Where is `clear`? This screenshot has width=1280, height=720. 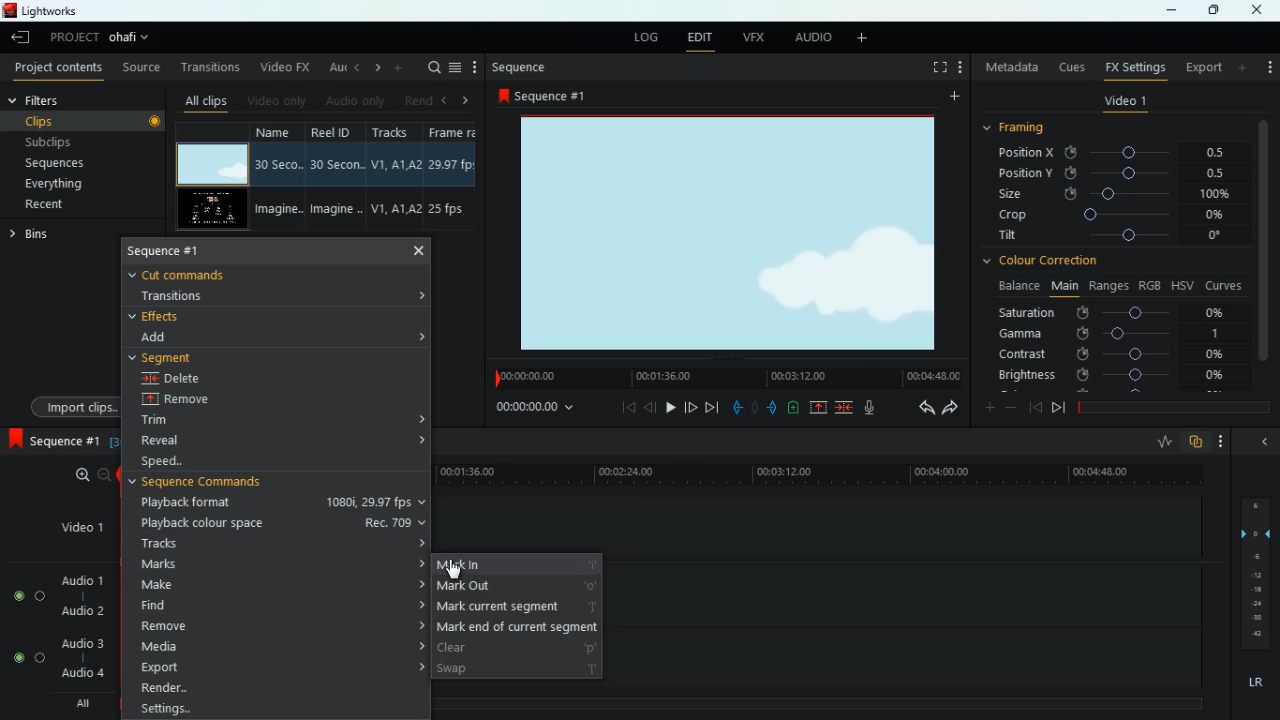
clear is located at coordinates (518, 647).